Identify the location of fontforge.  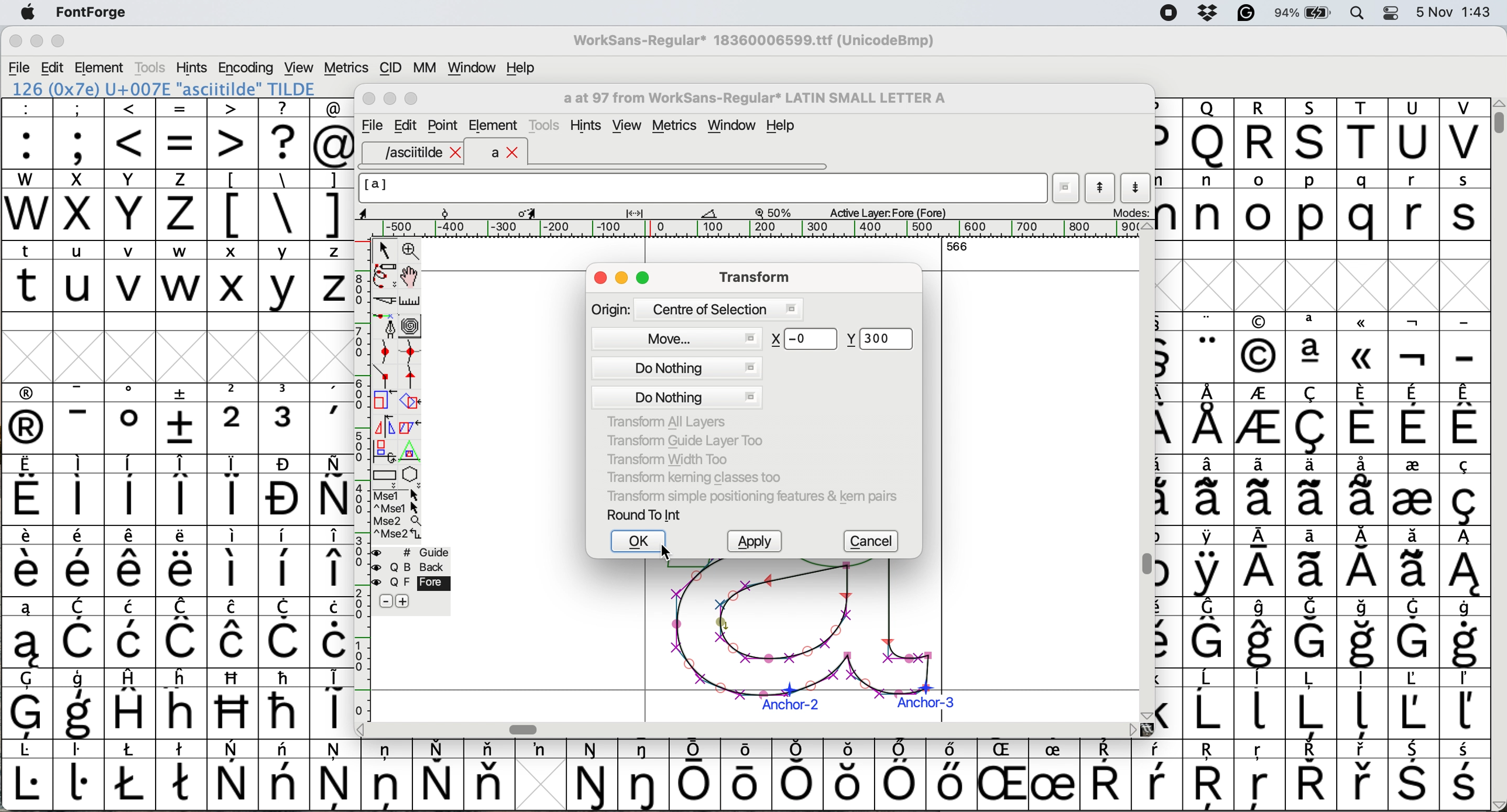
(95, 13).